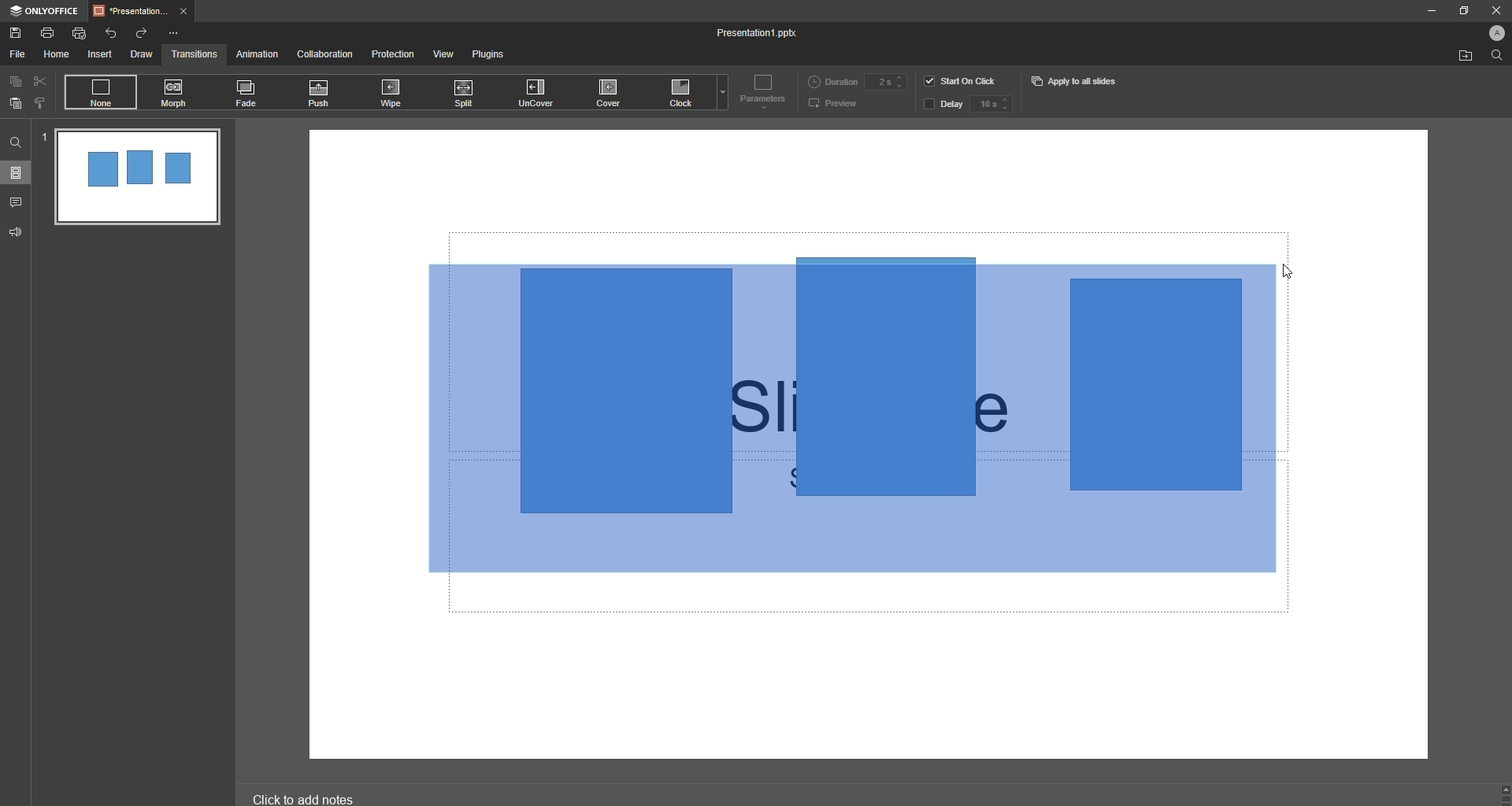  Describe the element at coordinates (18, 54) in the screenshot. I see `File` at that location.